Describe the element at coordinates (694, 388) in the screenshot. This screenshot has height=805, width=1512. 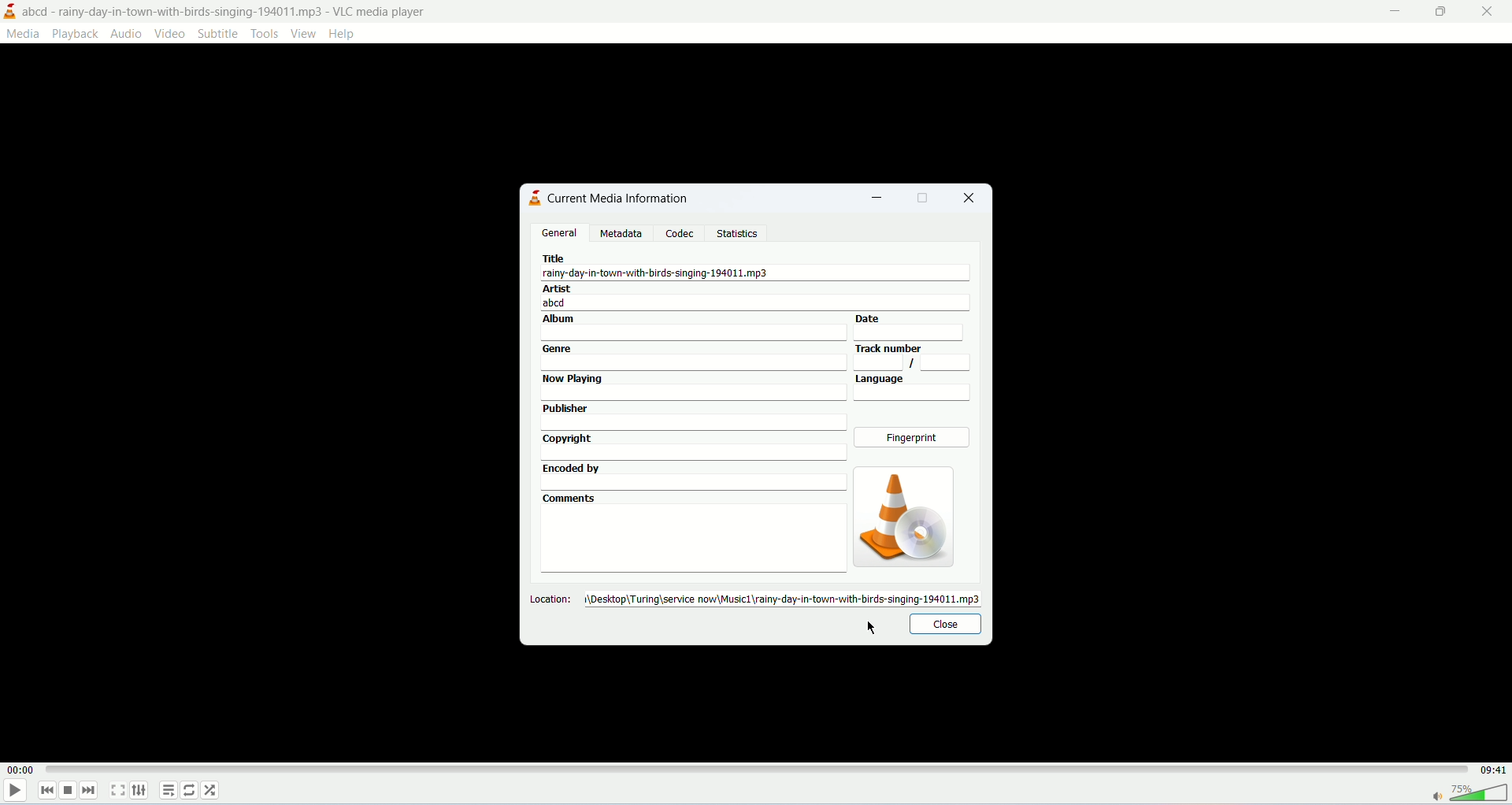
I see `now playing` at that location.